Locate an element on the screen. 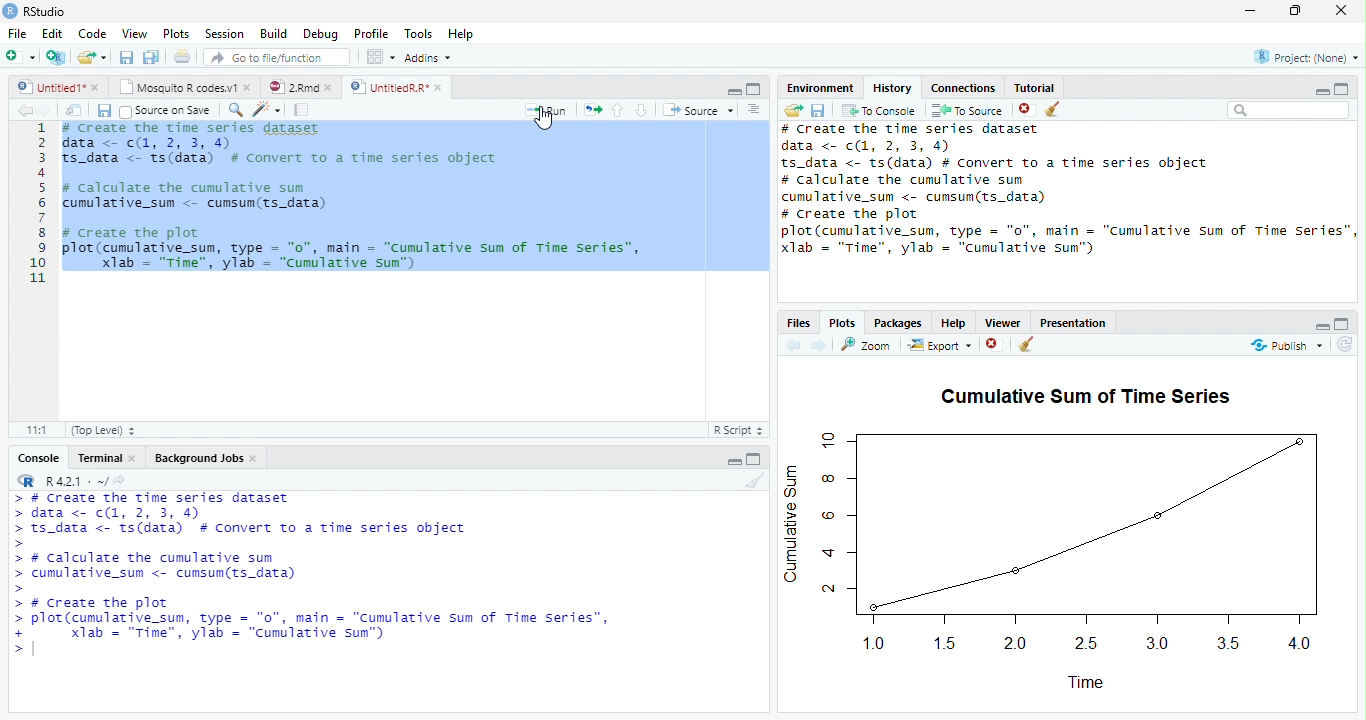 The height and width of the screenshot is (720, 1366). Go to file/function is located at coordinates (279, 58).